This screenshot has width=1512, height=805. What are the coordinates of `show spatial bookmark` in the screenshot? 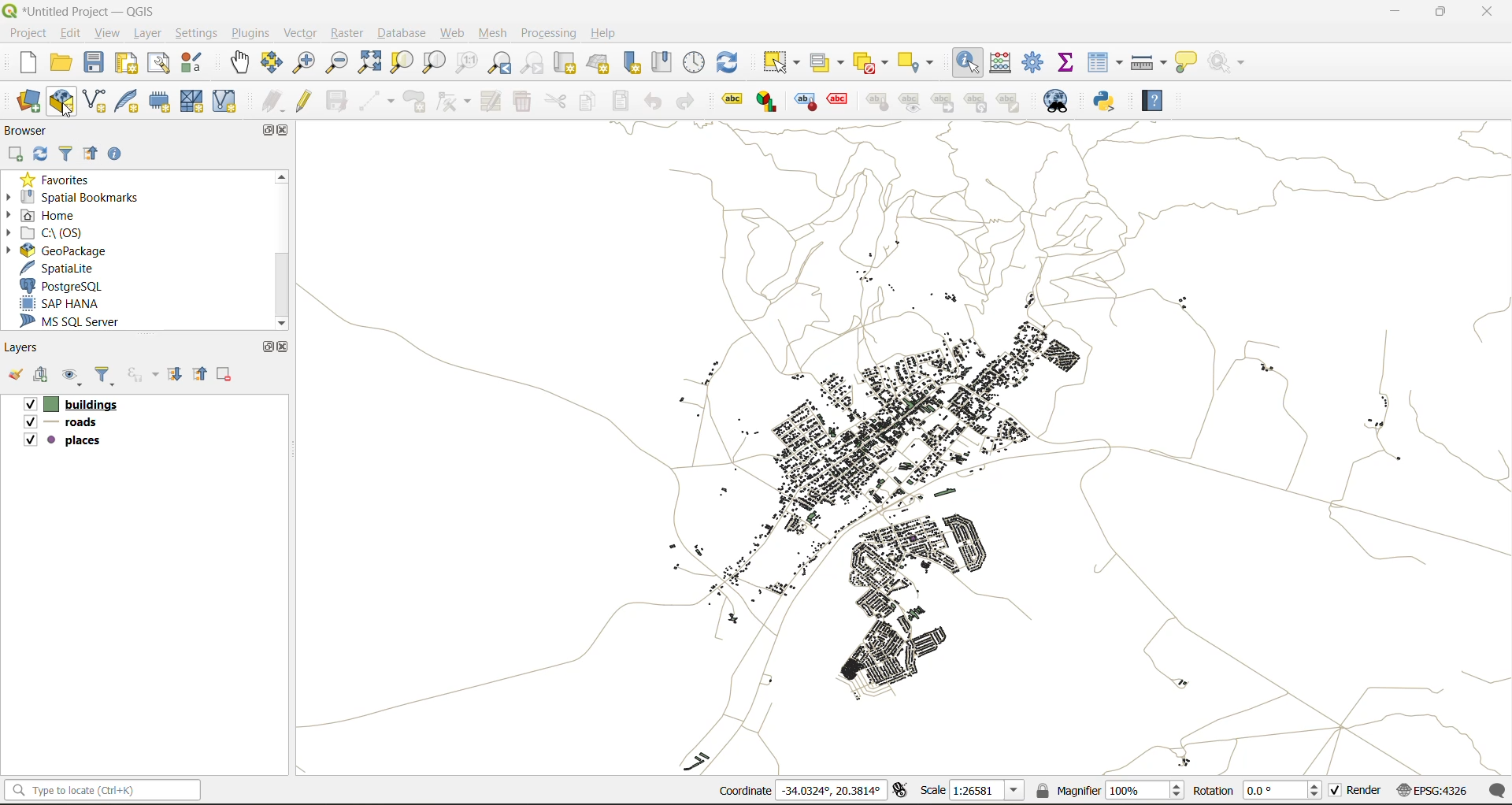 It's located at (664, 64).